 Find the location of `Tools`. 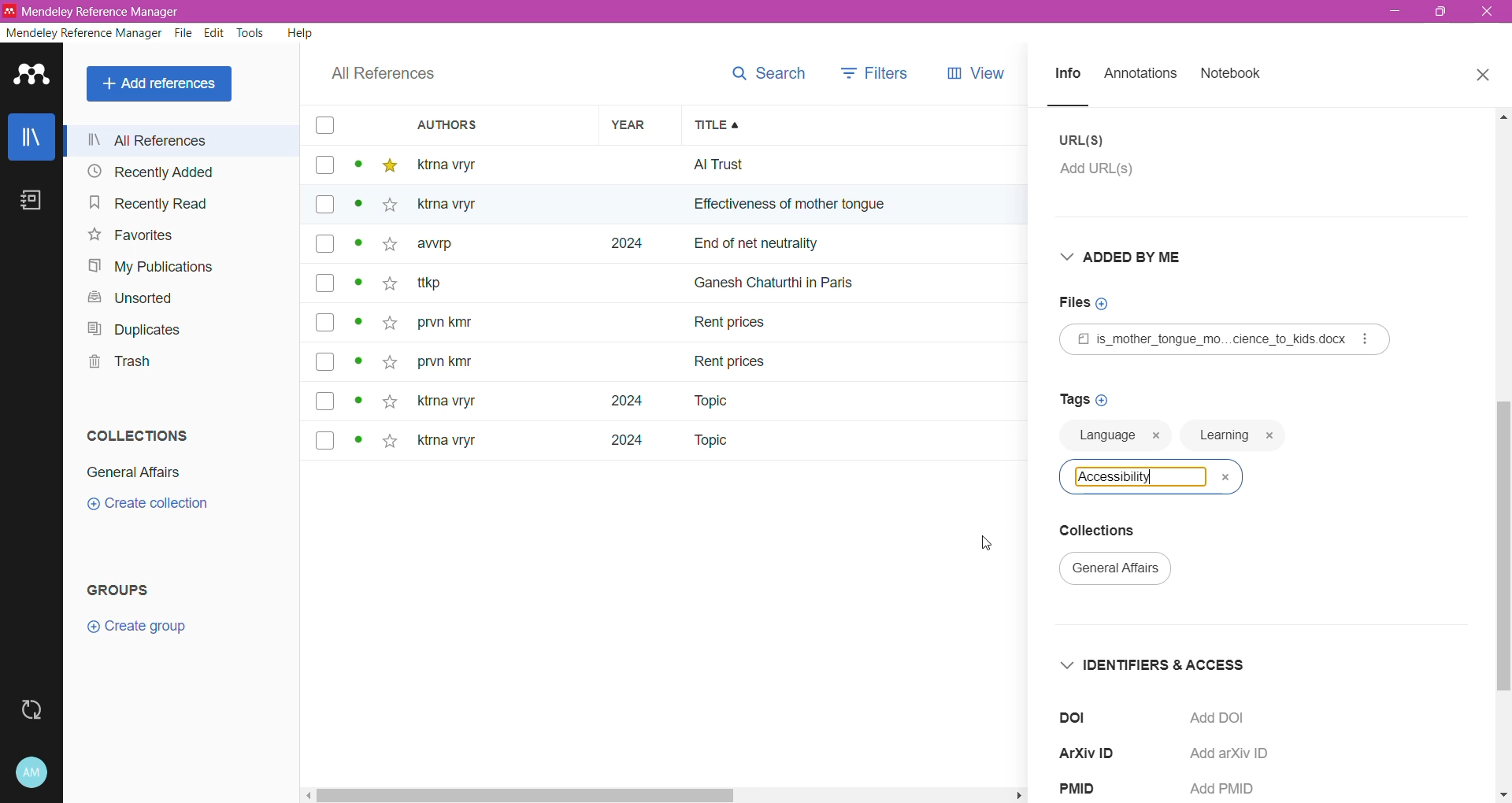

Tools is located at coordinates (252, 33).